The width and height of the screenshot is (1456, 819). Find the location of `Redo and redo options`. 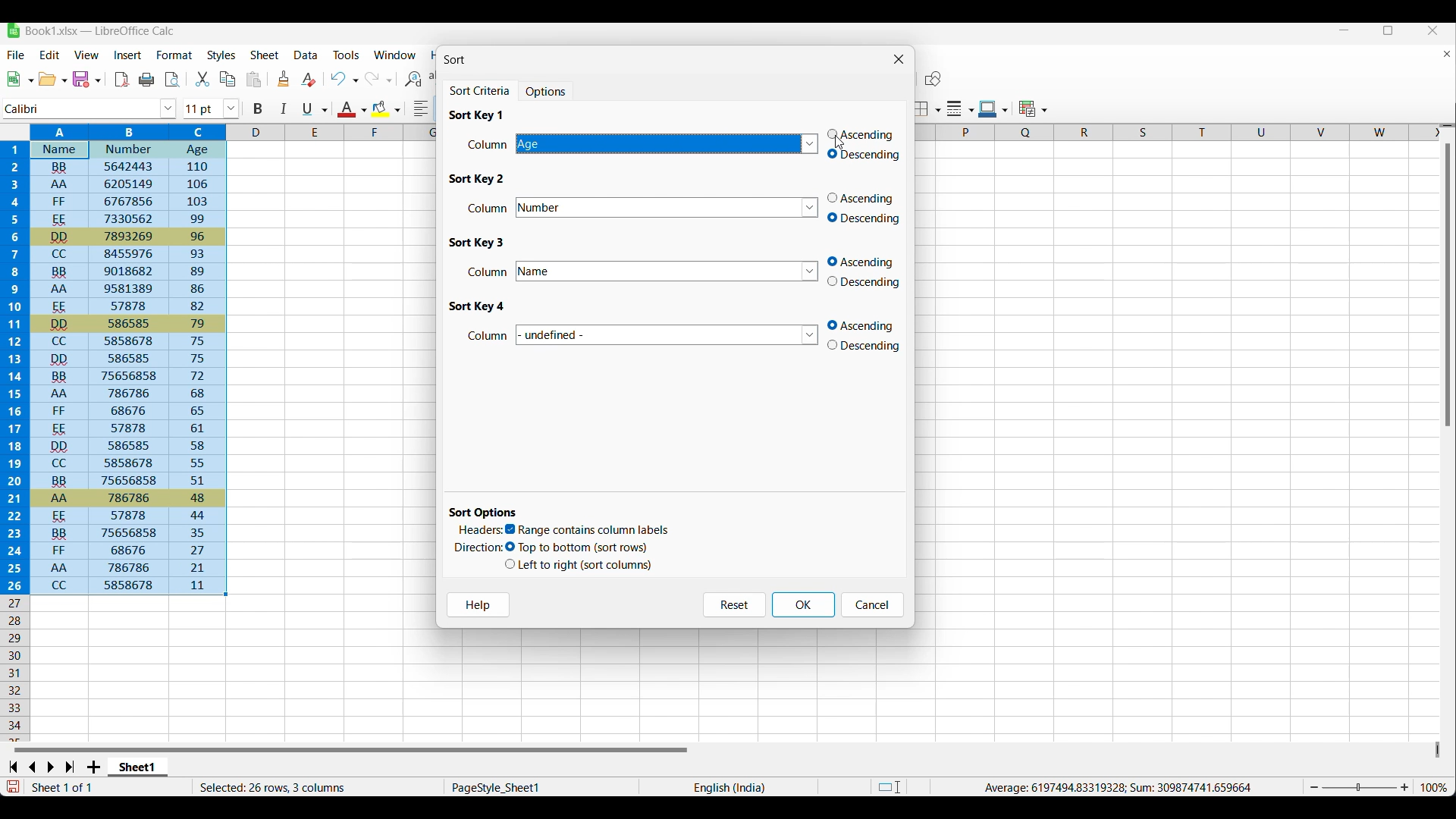

Redo and redo options is located at coordinates (379, 78).